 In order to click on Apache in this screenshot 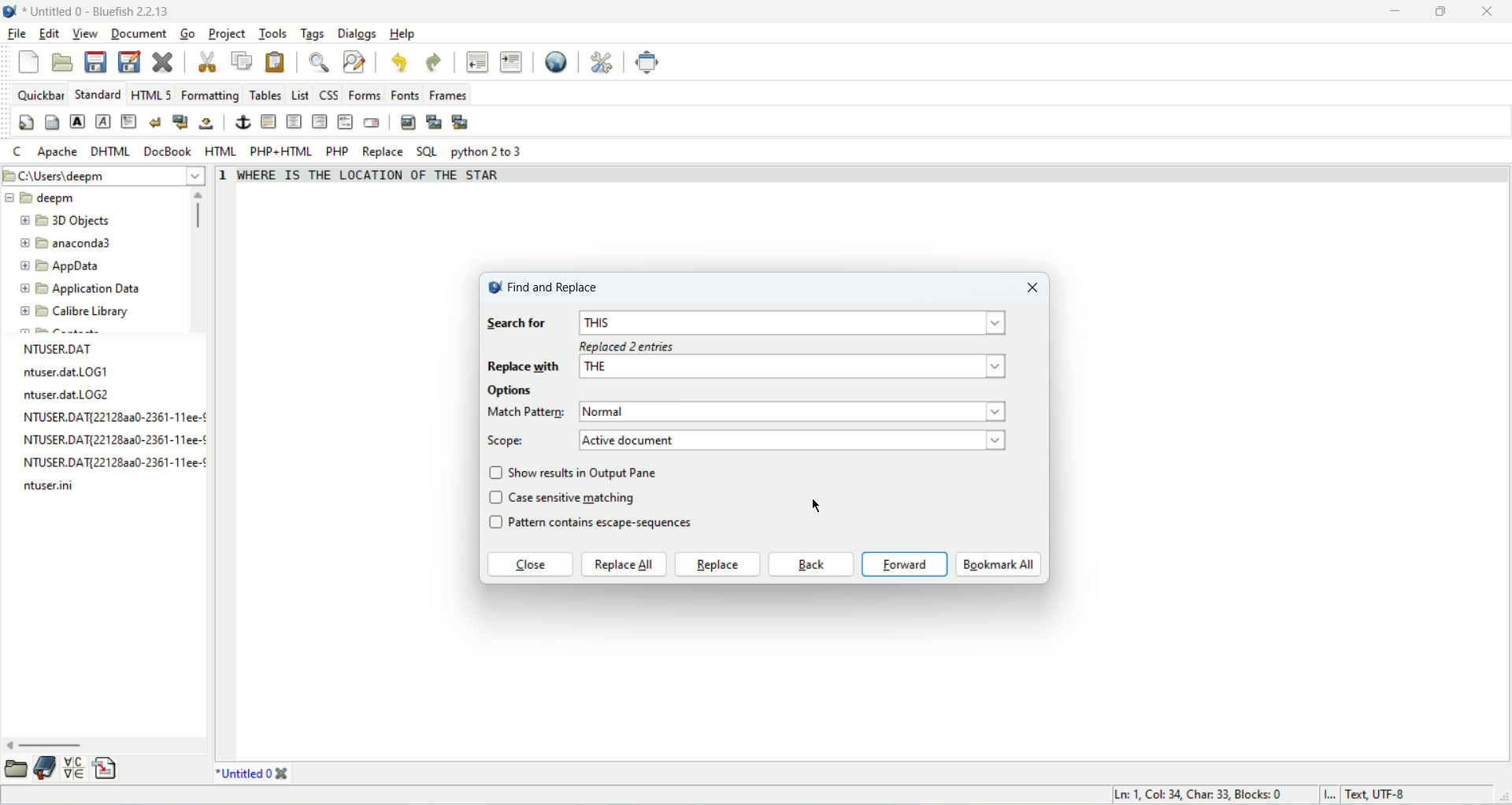, I will do `click(55, 152)`.